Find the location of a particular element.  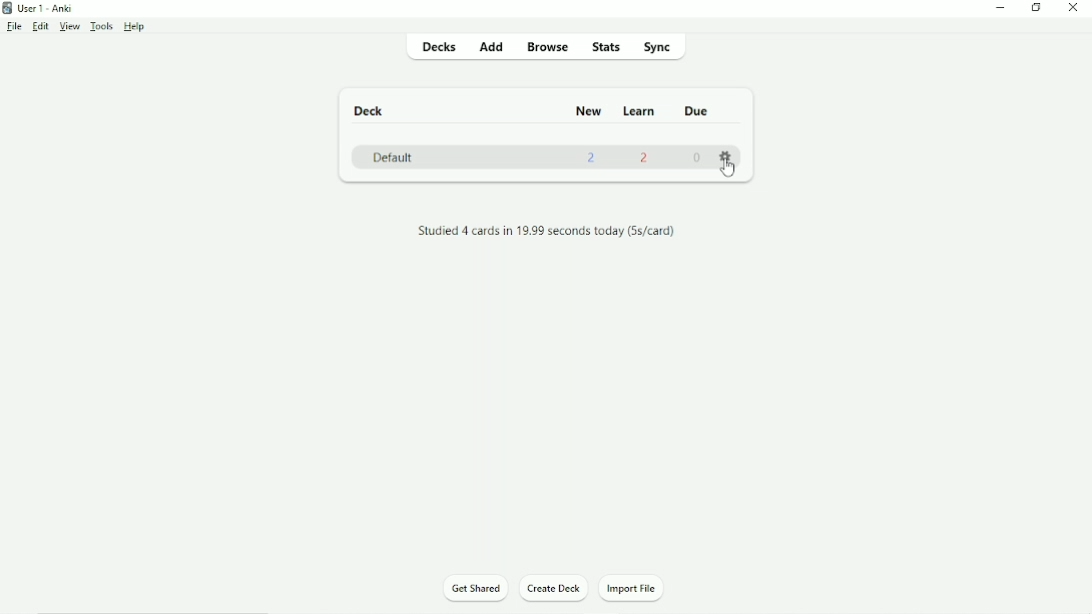

Create Deck is located at coordinates (554, 589).